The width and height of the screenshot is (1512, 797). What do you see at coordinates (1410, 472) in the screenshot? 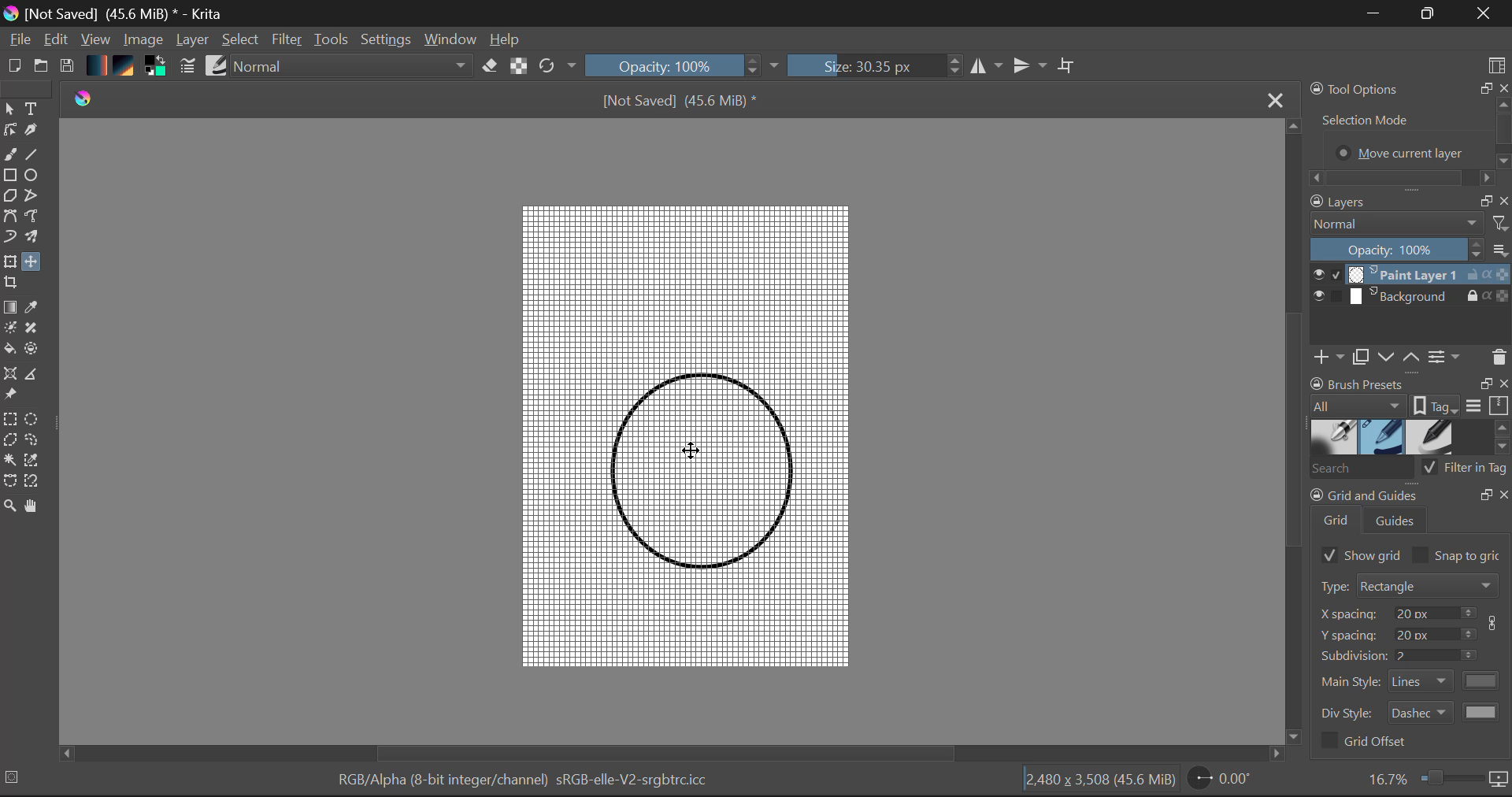
I see `Brush Presets Search` at bounding box center [1410, 472].